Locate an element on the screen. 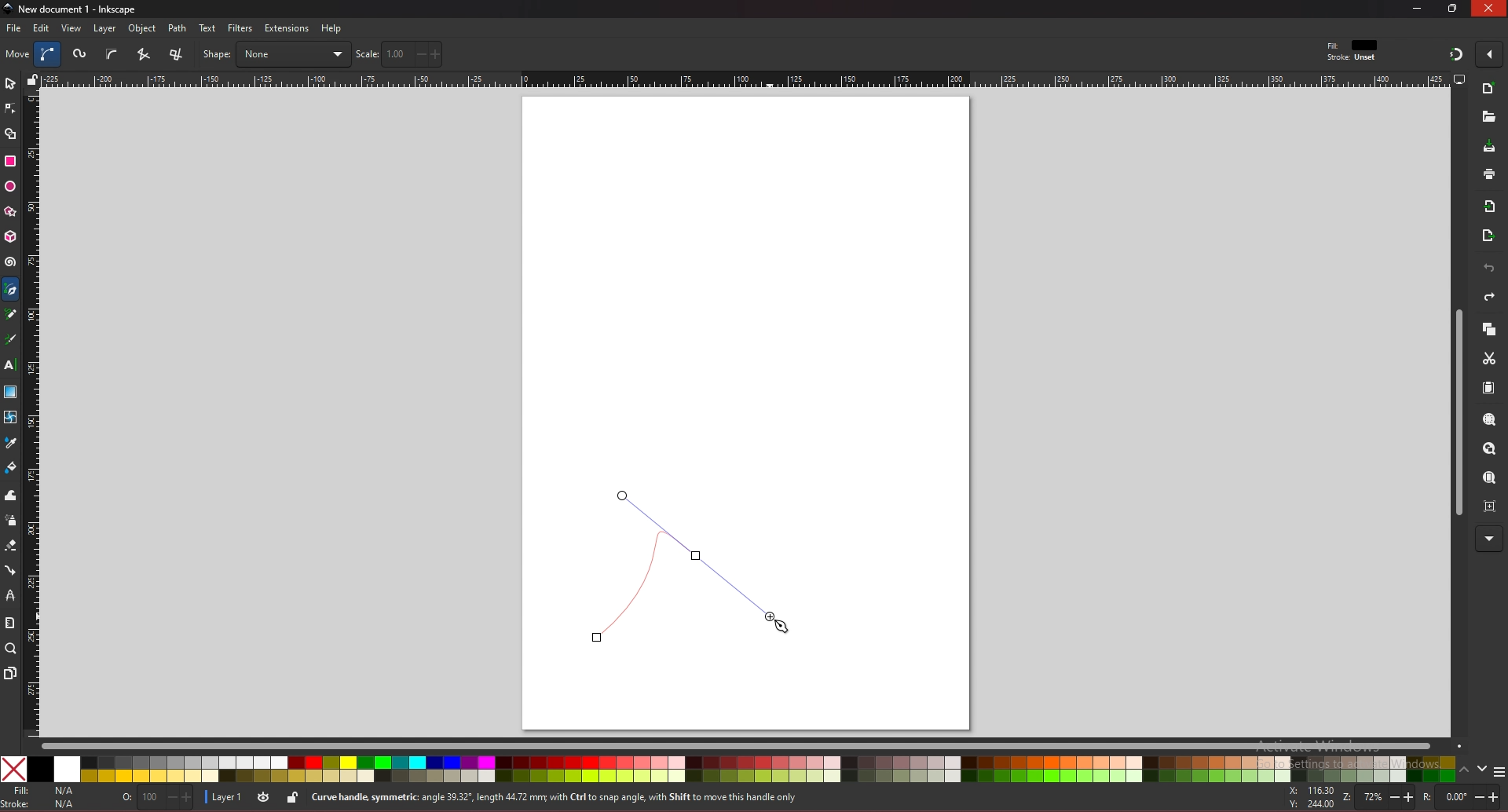 This screenshot has width=1508, height=812. zoom page is located at coordinates (1488, 479).